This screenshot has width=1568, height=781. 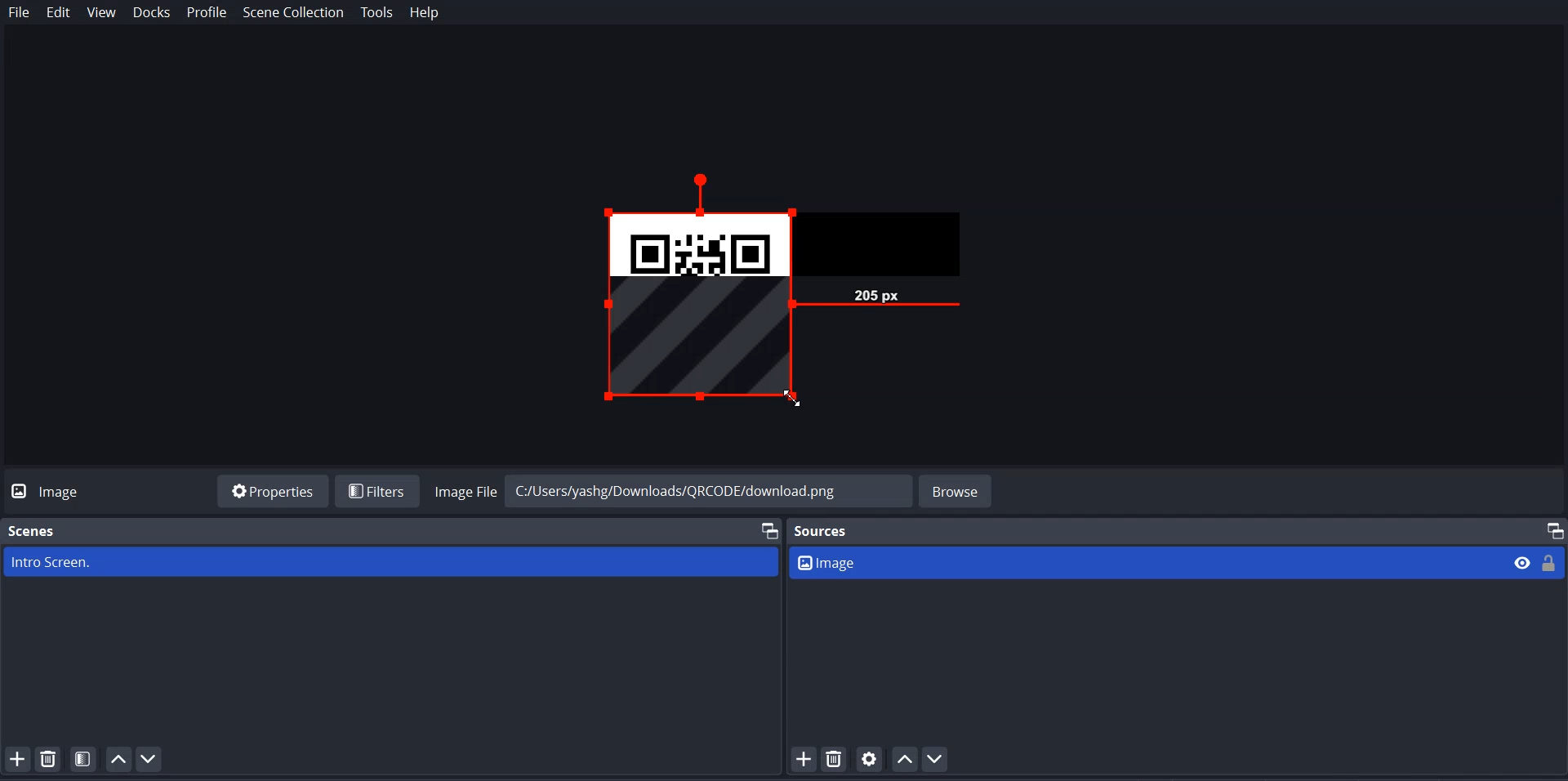 What do you see at coordinates (871, 759) in the screenshot?
I see `Open Source Properties` at bounding box center [871, 759].